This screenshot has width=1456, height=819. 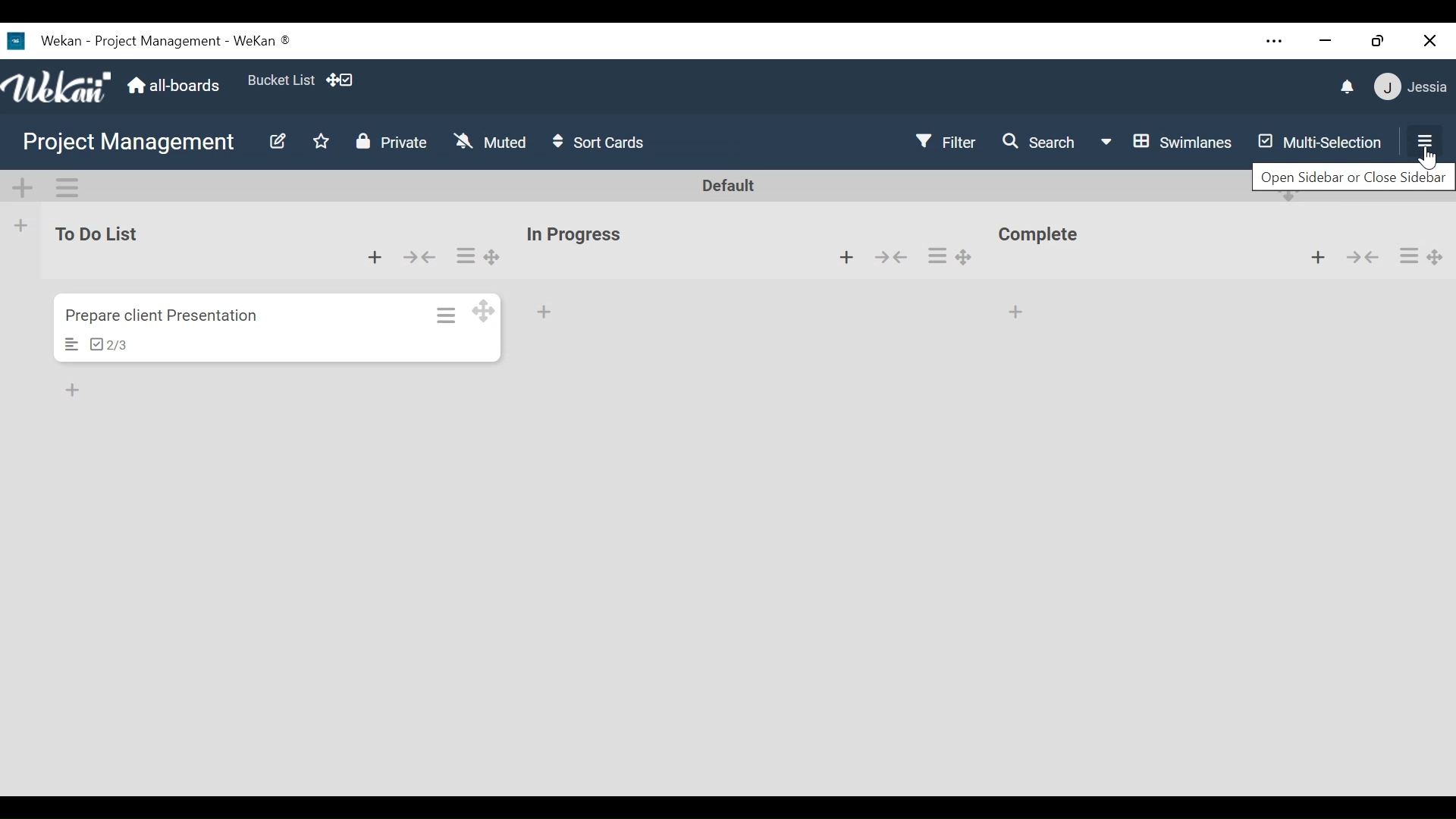 I want to click on Swimlane actions, so click(x=66, y=187).